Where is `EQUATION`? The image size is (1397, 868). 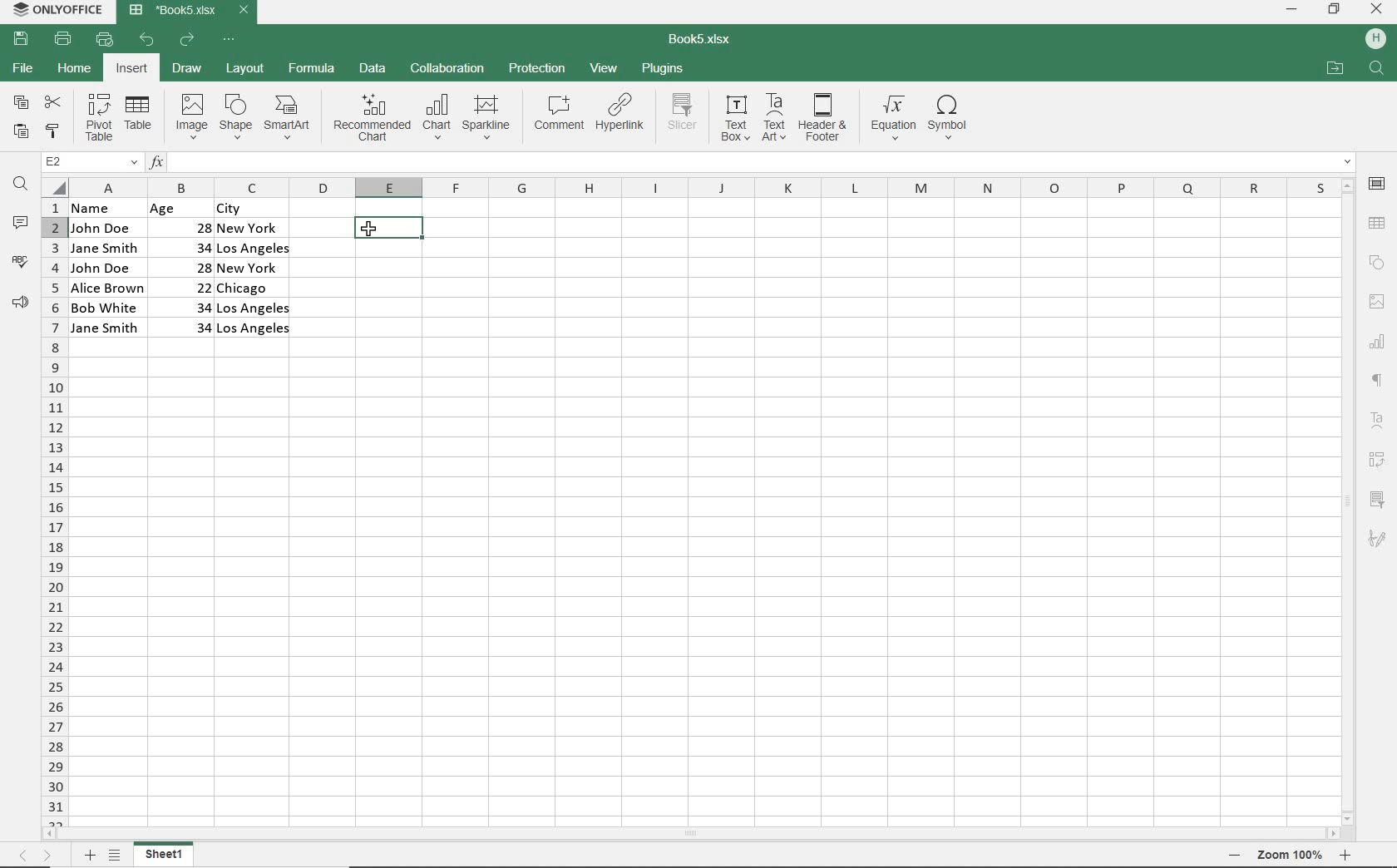
EQUATION is located at coordinates (892, 117).